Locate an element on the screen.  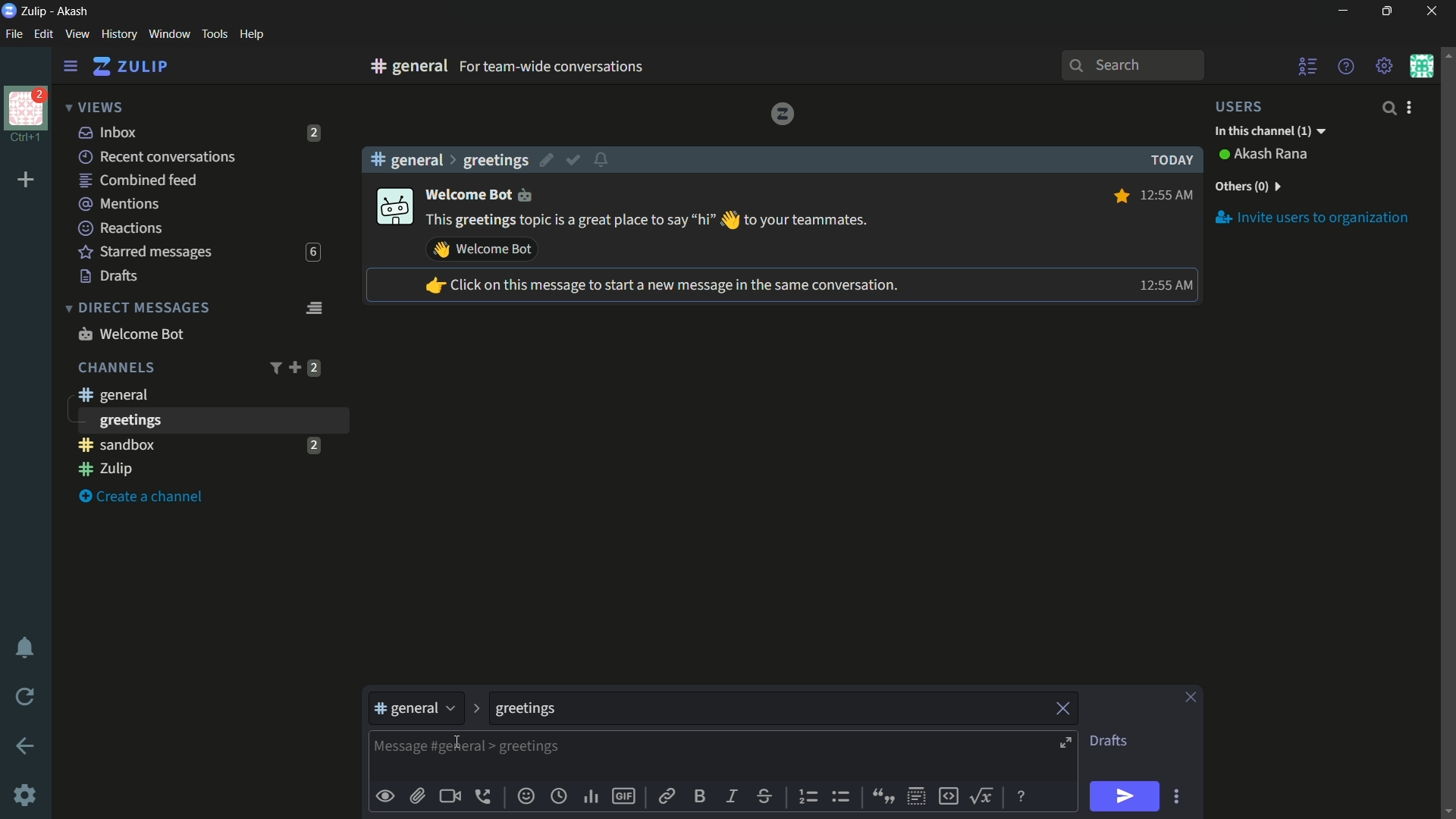
display picture is located at coordinates (393, 208).